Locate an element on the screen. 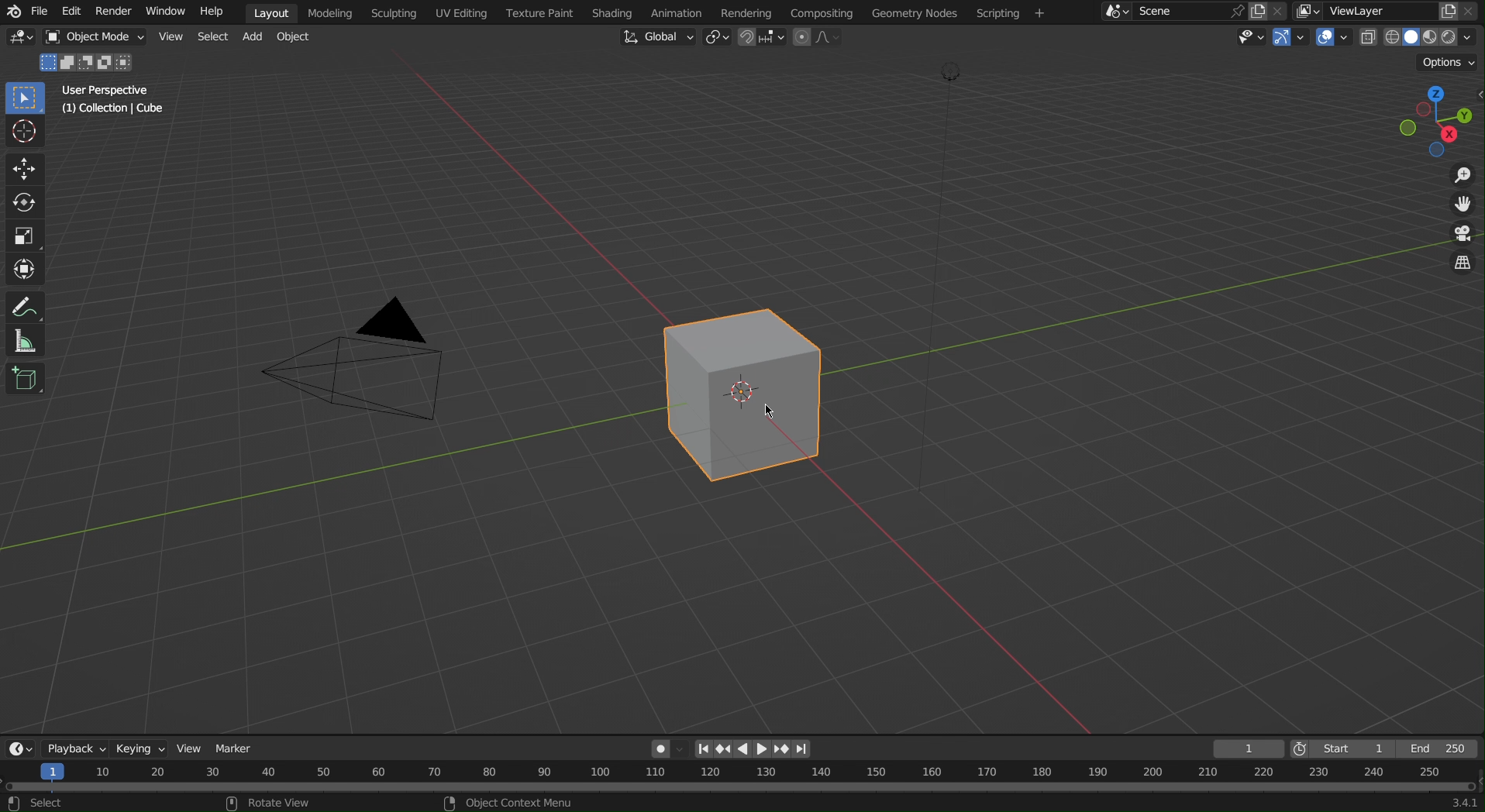  Geometry Nodes is located at coordinates (914, 13).